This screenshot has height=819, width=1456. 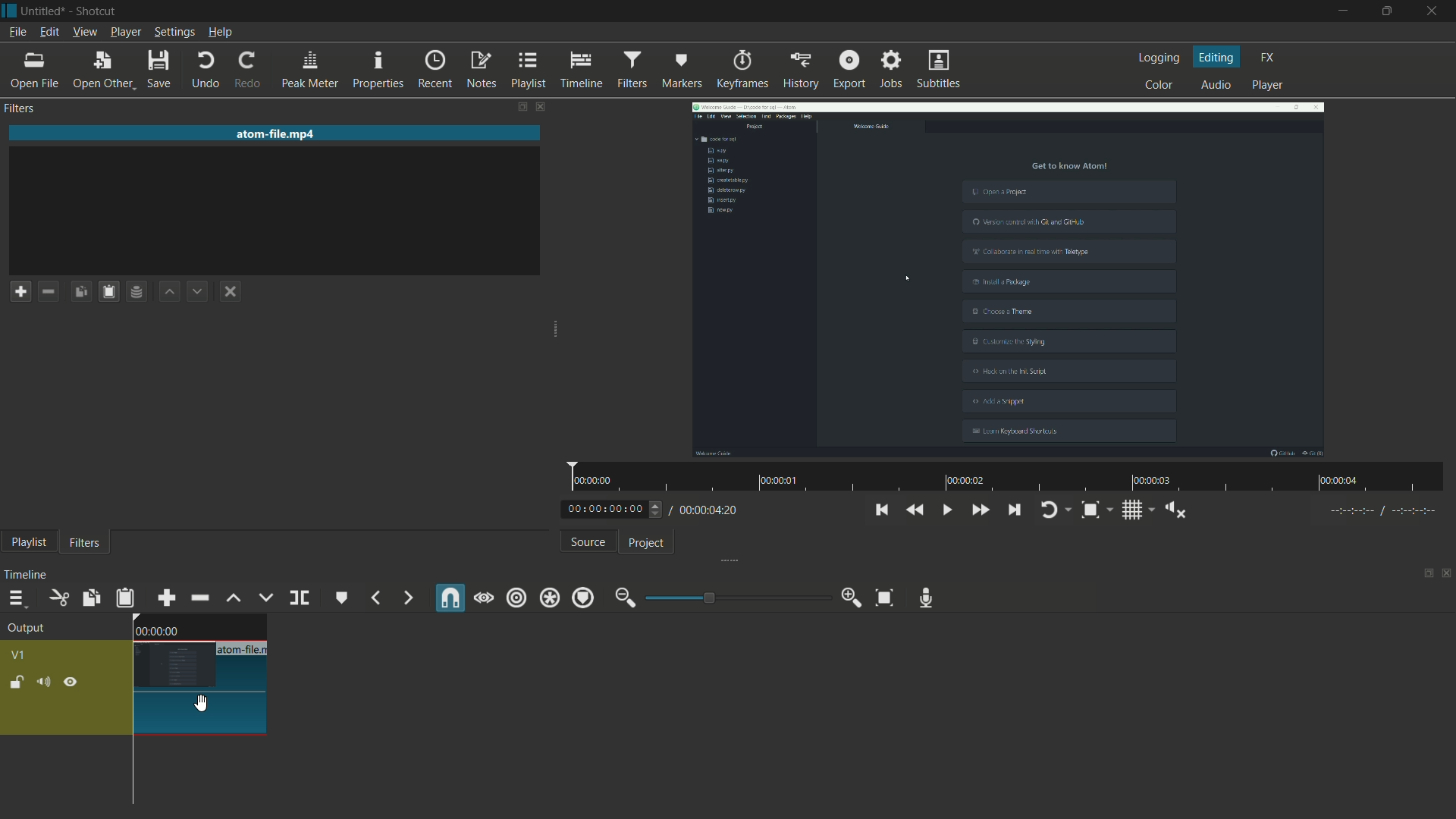 What do you see at coordinates (199, 596) in the screenshot?
I see `ripple delete` at bounding box center [199, 596].